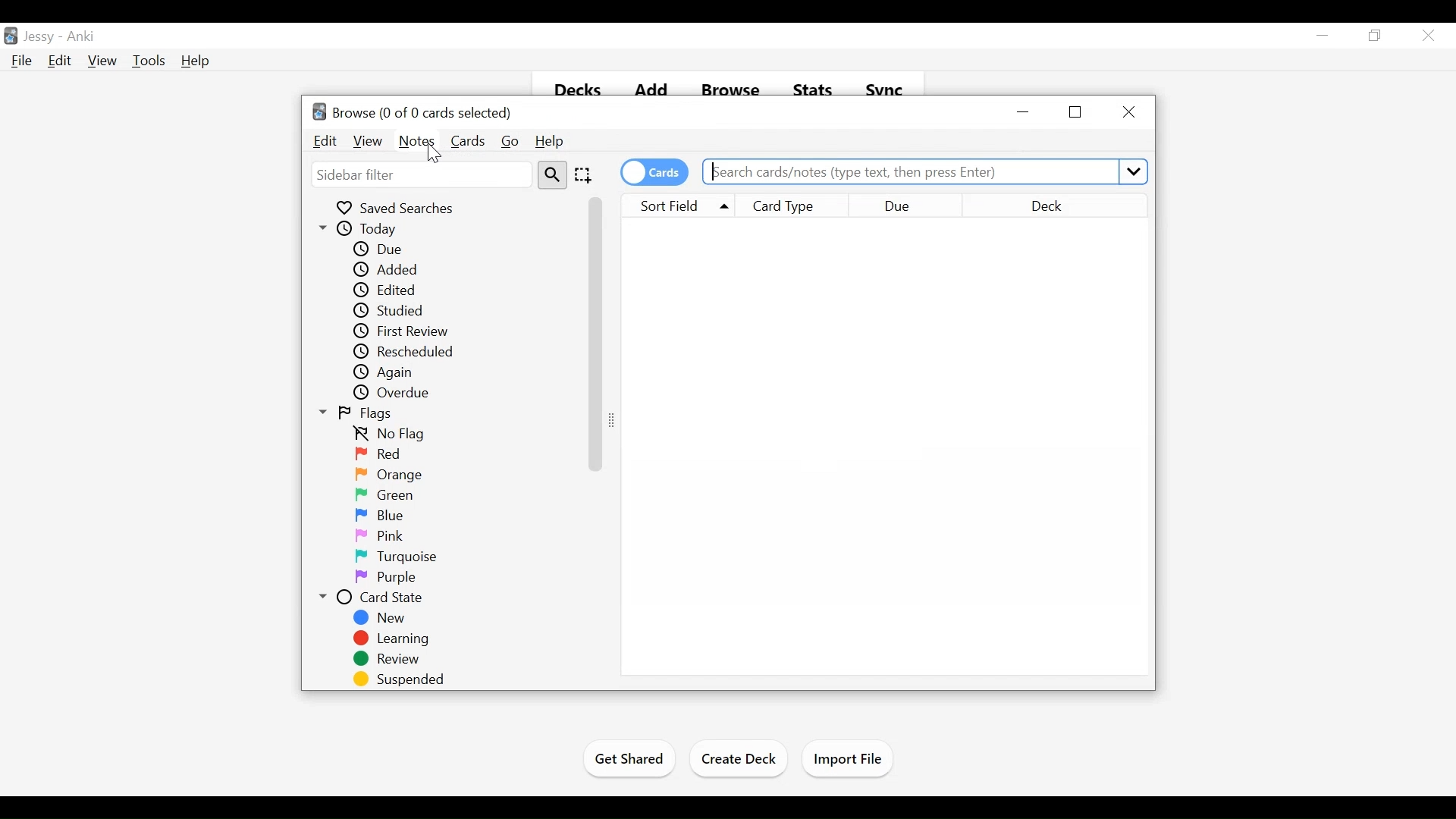  Describe the element at coordinates (379, 537) in the screenshot. I see `Pink` at that location.